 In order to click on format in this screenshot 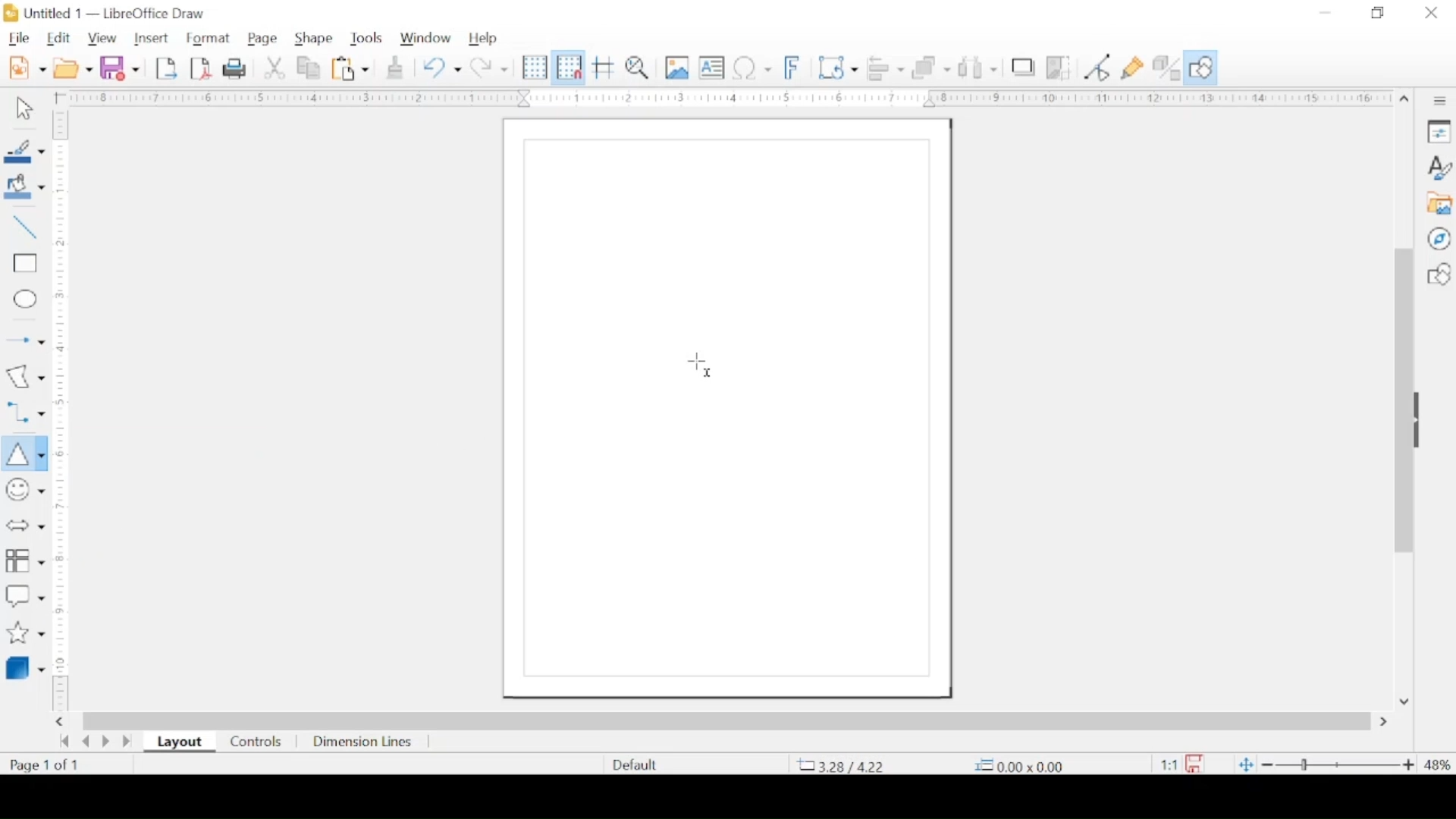, I will do `click(207, 38)`.